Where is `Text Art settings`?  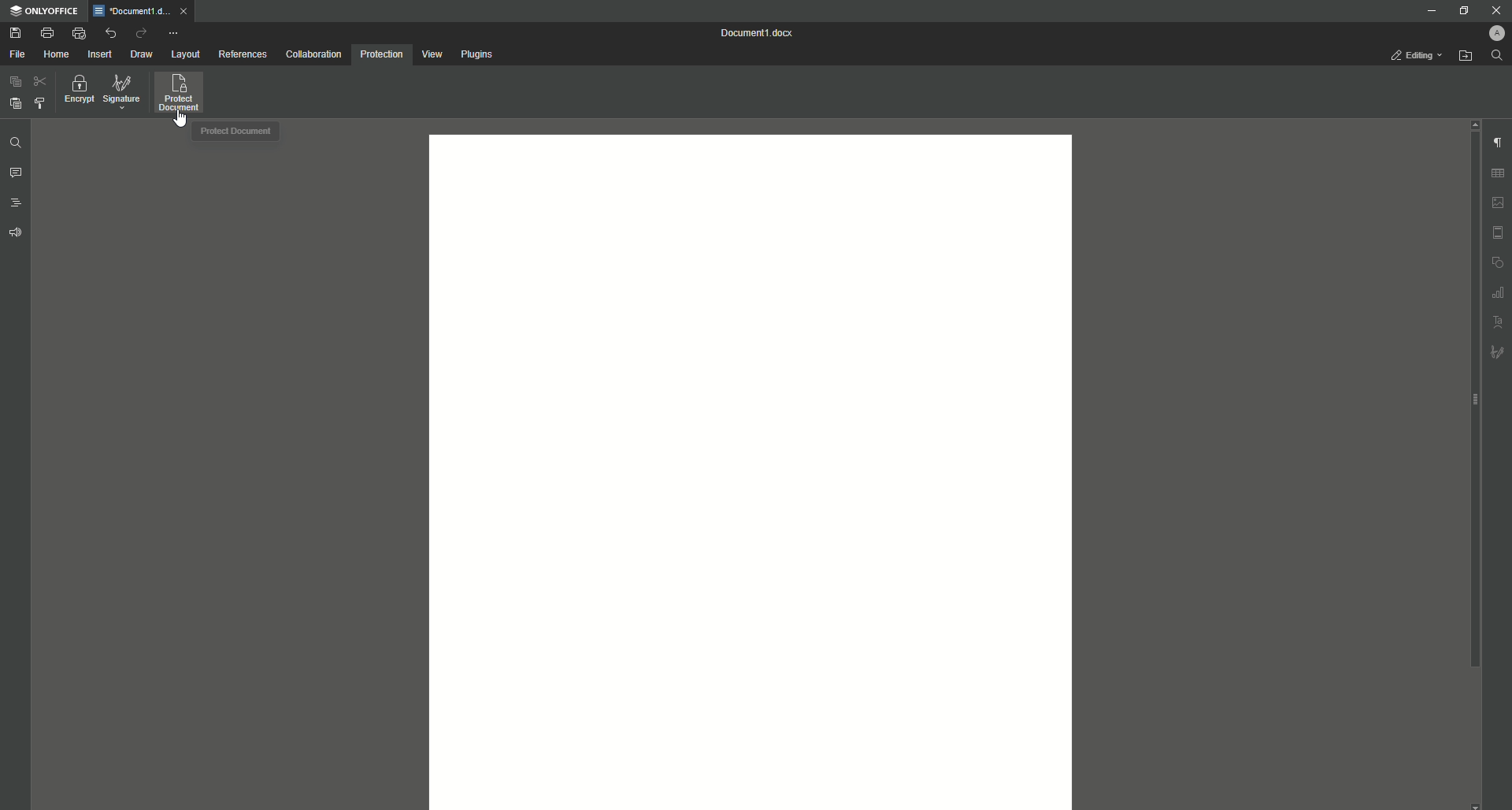
Text Art settings is located at coordinates (1499, 321).